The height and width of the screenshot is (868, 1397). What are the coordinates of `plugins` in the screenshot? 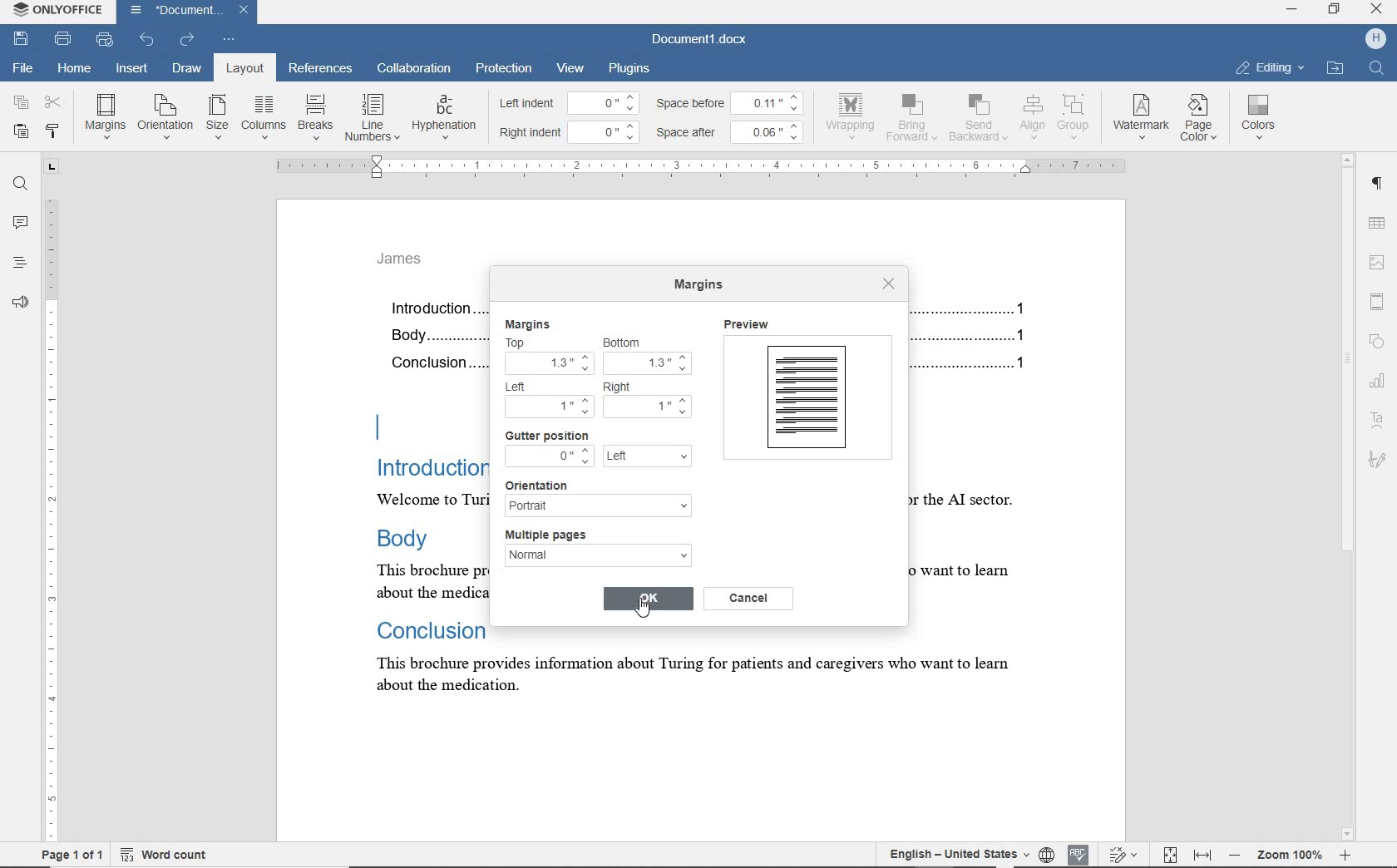 It's located at (632, 67).